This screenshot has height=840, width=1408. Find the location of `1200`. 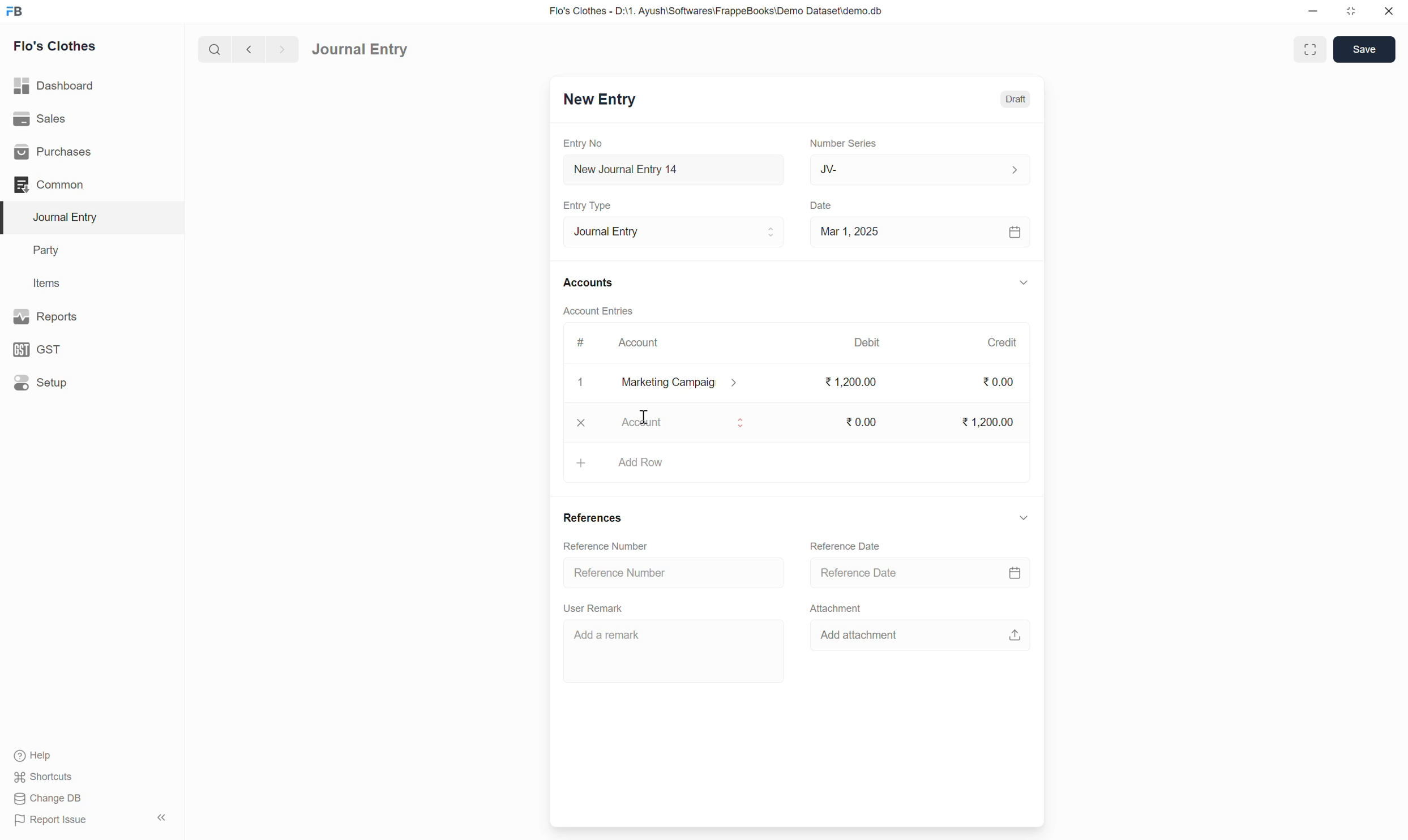

1200 is located at coordinates (992, 421).